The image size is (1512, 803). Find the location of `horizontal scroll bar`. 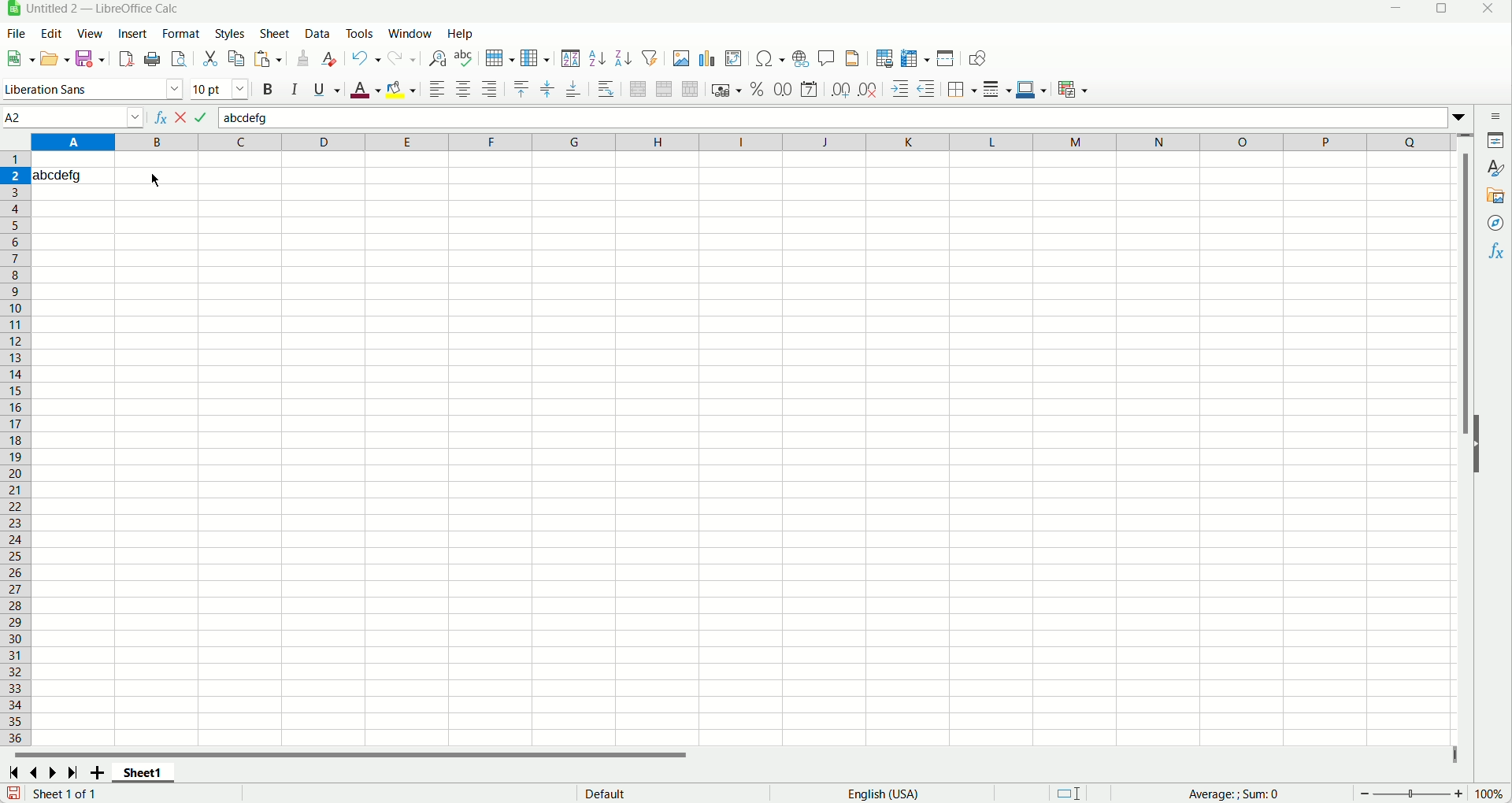

horizontal scroll bar is located at coordinates (731, 755).